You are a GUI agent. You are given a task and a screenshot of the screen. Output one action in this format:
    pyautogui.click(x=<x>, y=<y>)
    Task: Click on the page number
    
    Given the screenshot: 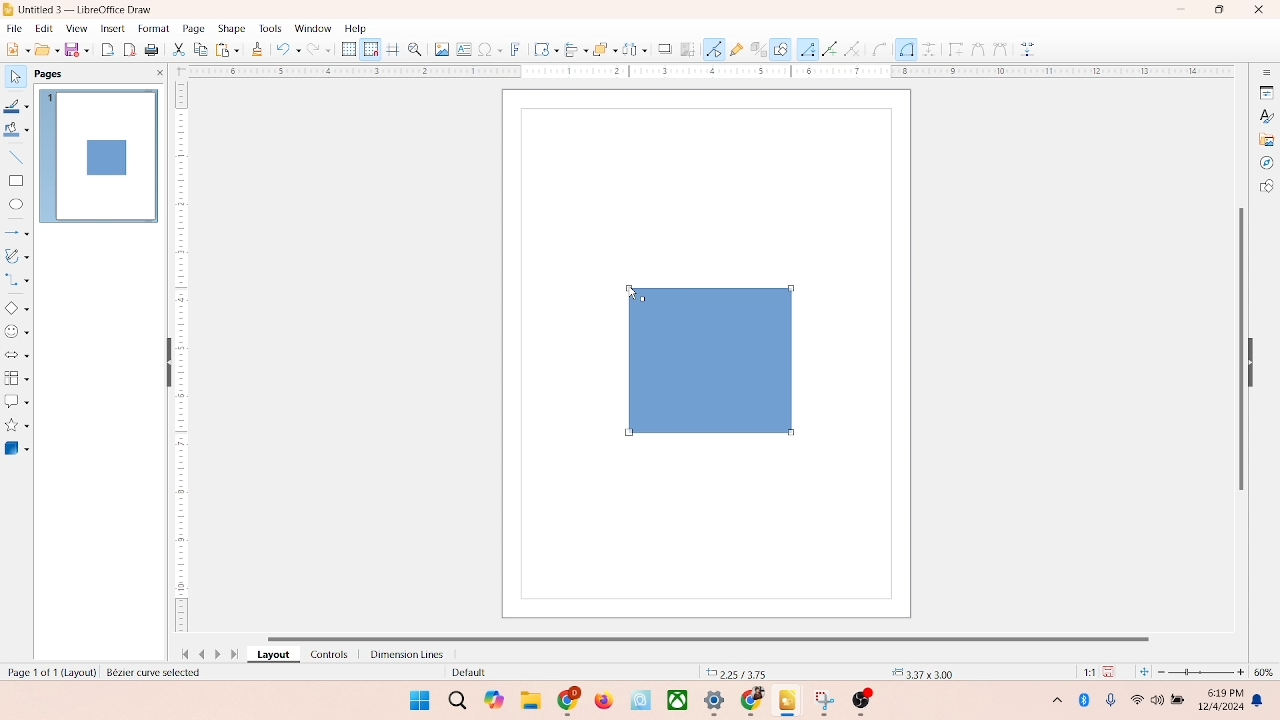 What is the action you would take?
    pyautogui.click(x=49, y=671)
    